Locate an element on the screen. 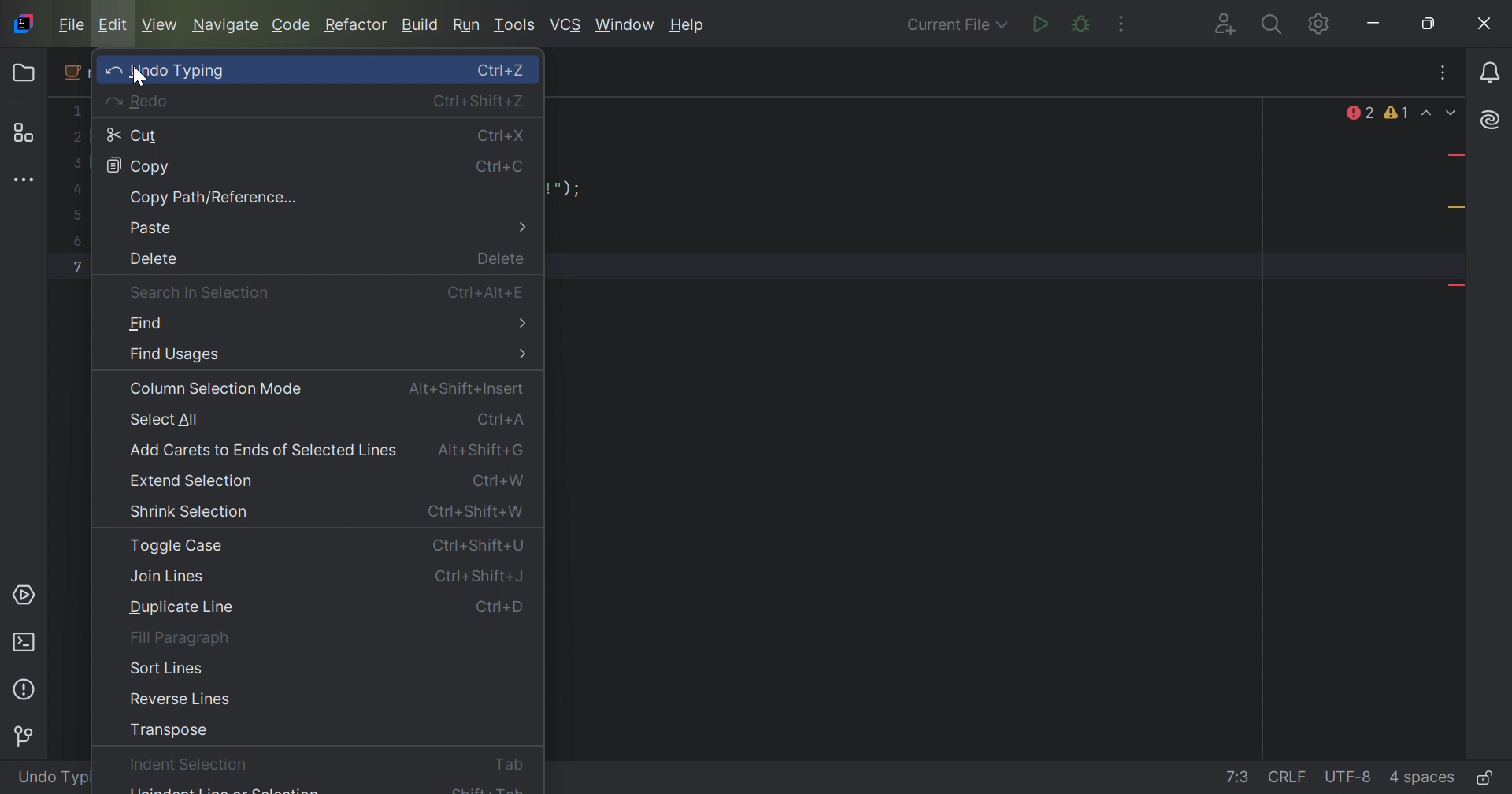 Image resolution: width=1512 pixels, height=794 pixels. Select All is located at coordinates (164, 421).